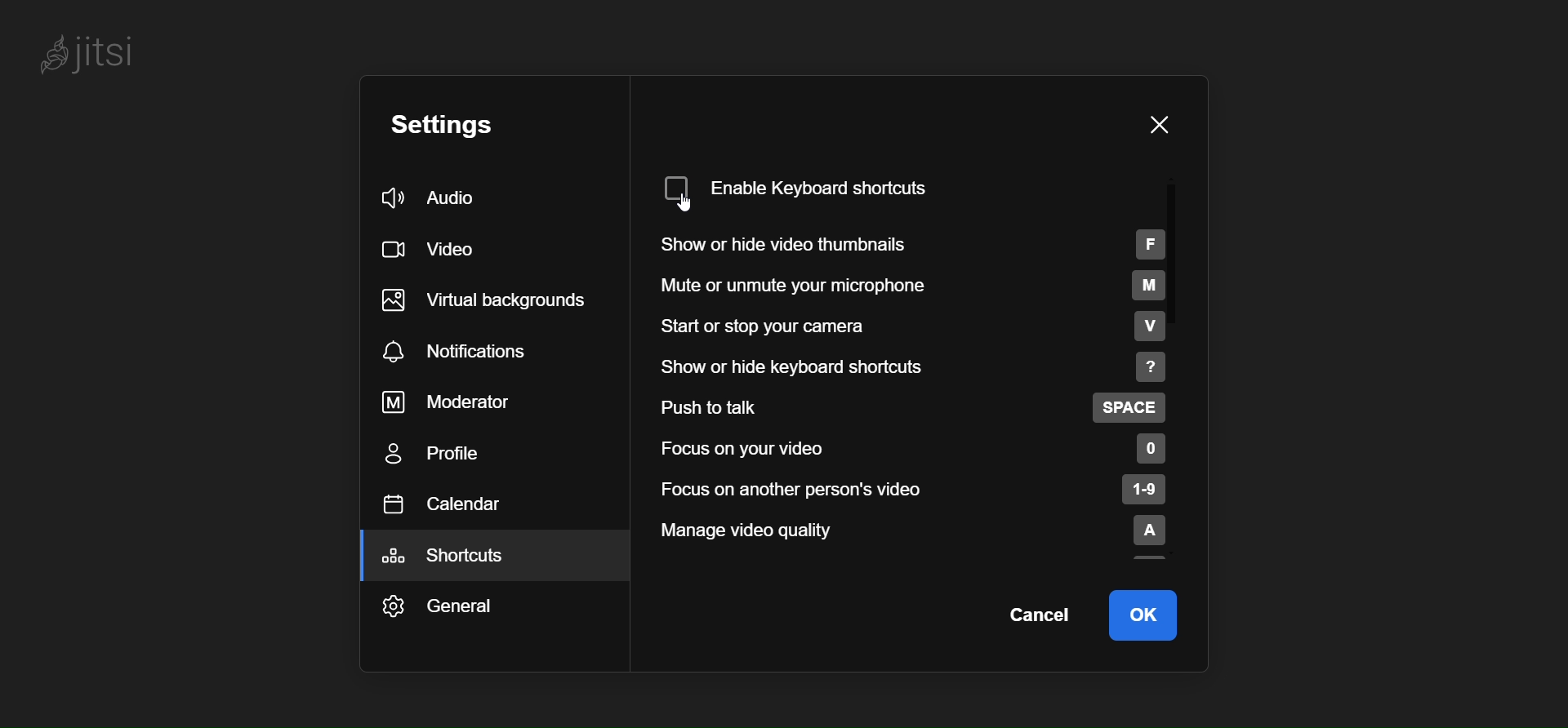  Describe the element at coordinates (474, 352) in the screenshot. I see `notification` at that location.